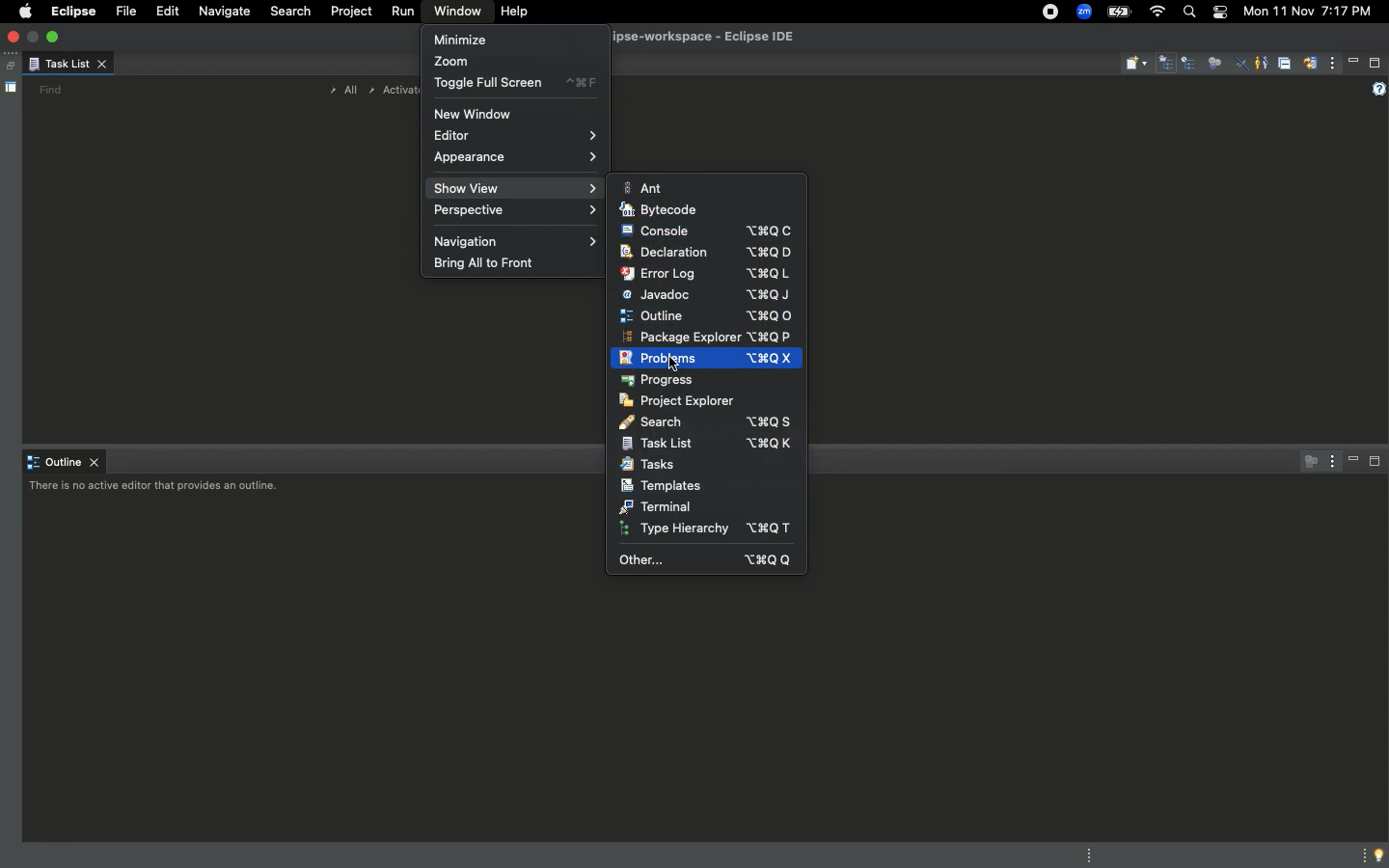 The width and height of the screenshot is (1389, 868). What do you see at coordinates (1167, 65) in the screenshot?
I see `Categorized` at bounding box center [1167, 65].